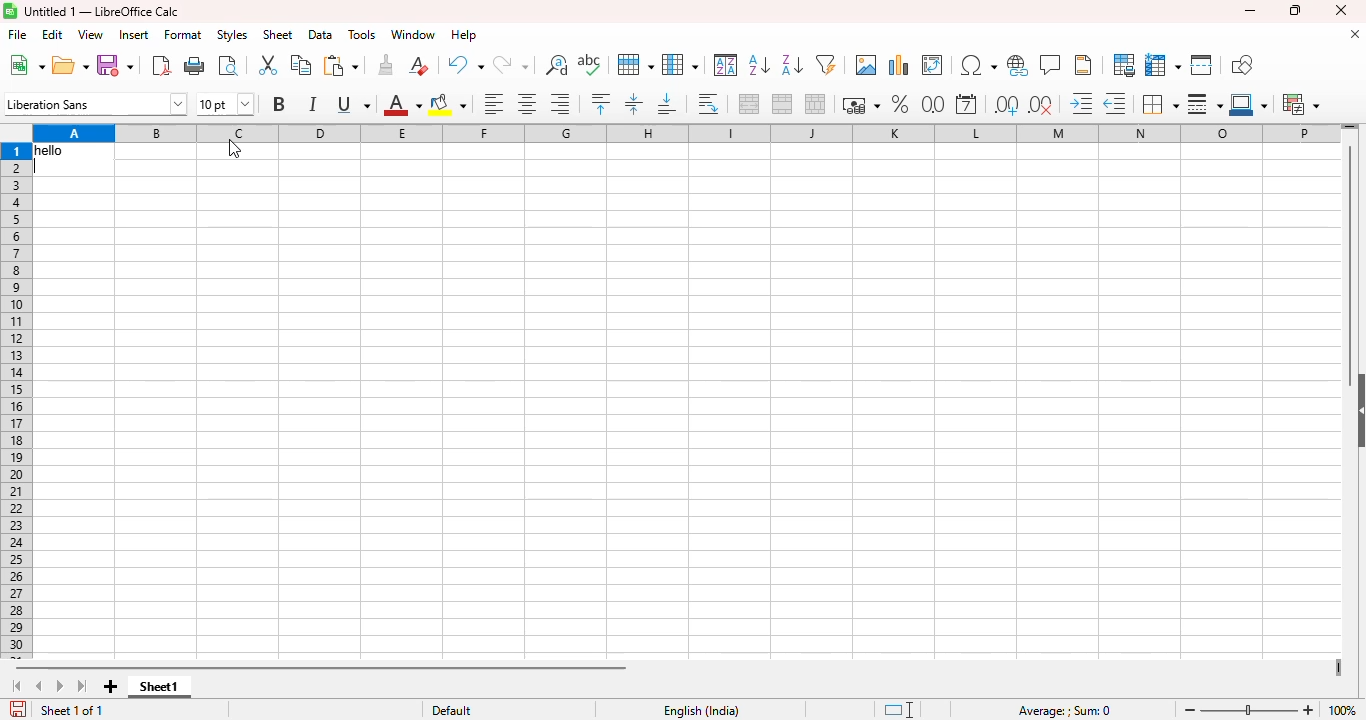  What do you see at coordinates (70, 64) in the screenshot?
I see `open` at bounding box center [70, 64].